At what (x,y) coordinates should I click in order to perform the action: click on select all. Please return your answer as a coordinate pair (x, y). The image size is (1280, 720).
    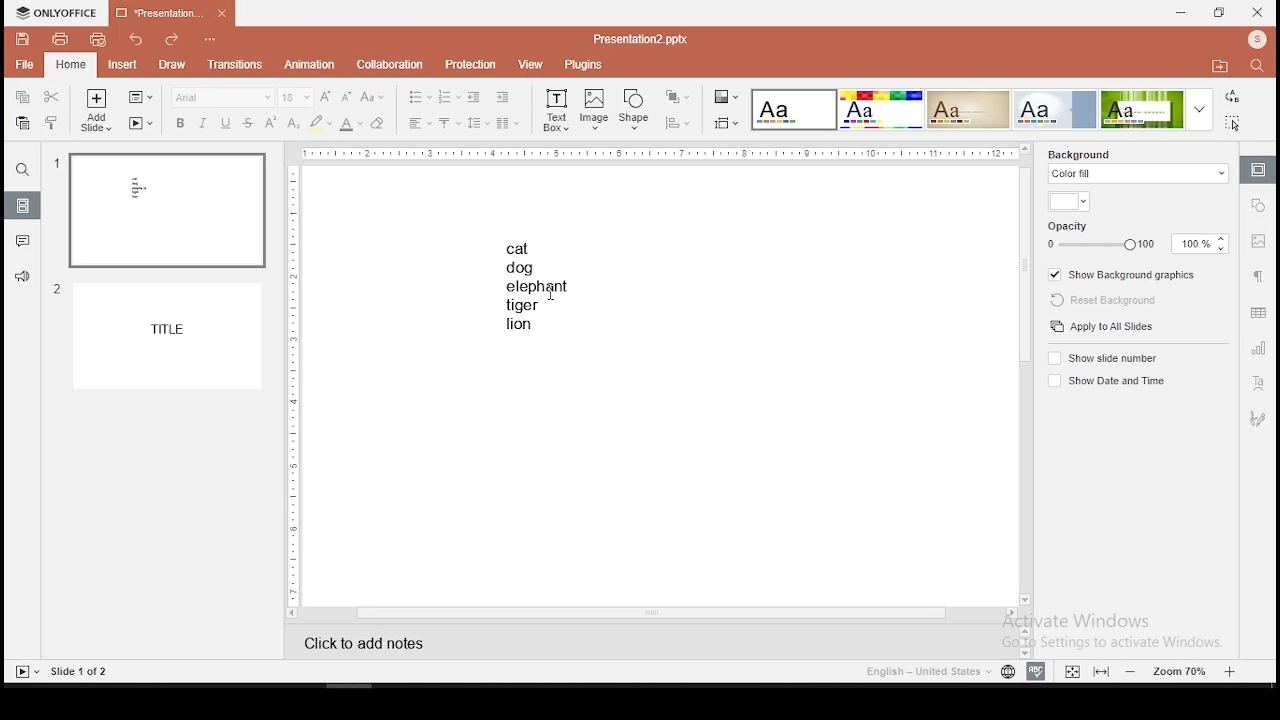
    Looking at the image, I should click on (1234, 125).